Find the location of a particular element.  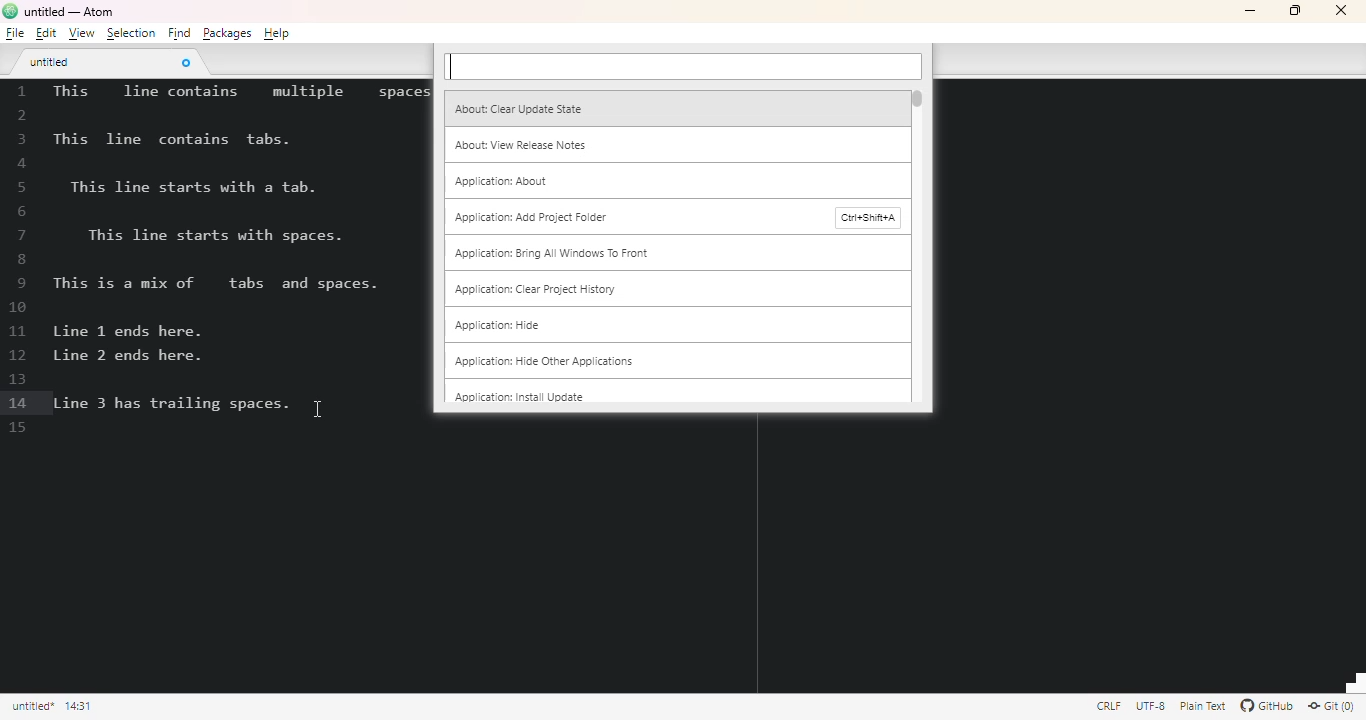

application: clear project history is located at coordinates (537, 290).